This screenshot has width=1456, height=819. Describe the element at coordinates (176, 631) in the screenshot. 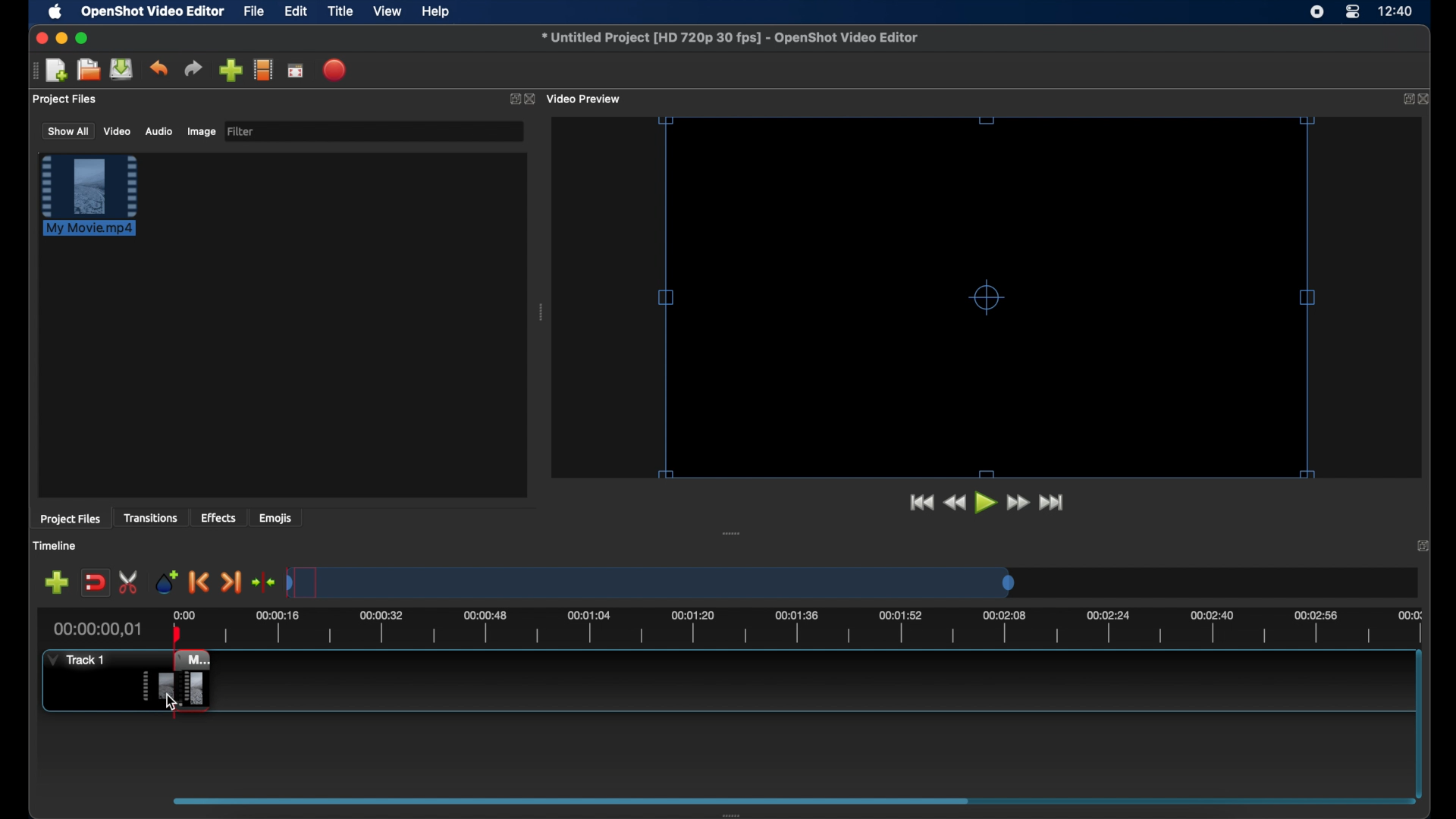

I see `playhead` at that location.